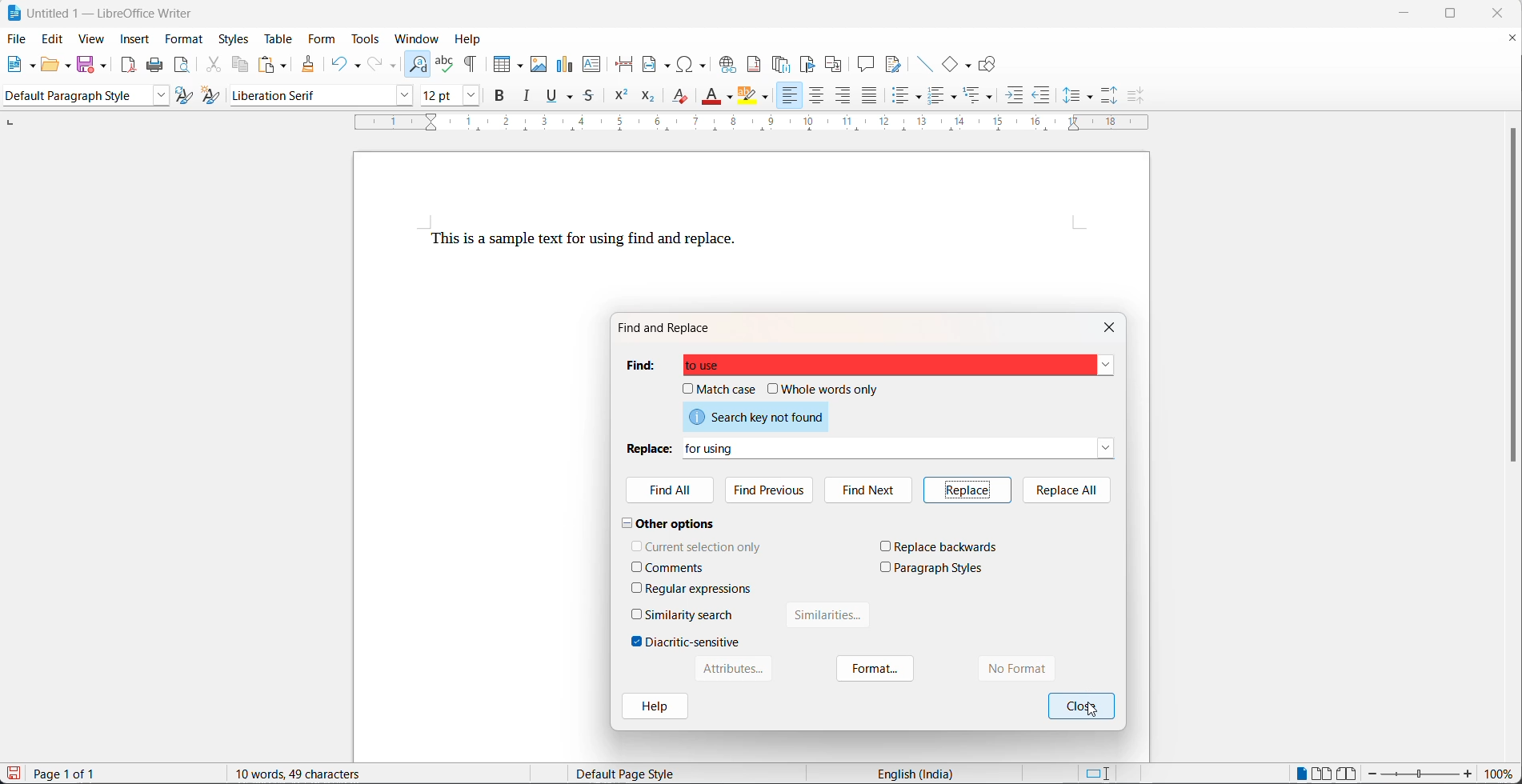  What do you see at coordinates (904, 98) in the screenshot?
I see `toggle unordered list` at bounding box center [904, 98].